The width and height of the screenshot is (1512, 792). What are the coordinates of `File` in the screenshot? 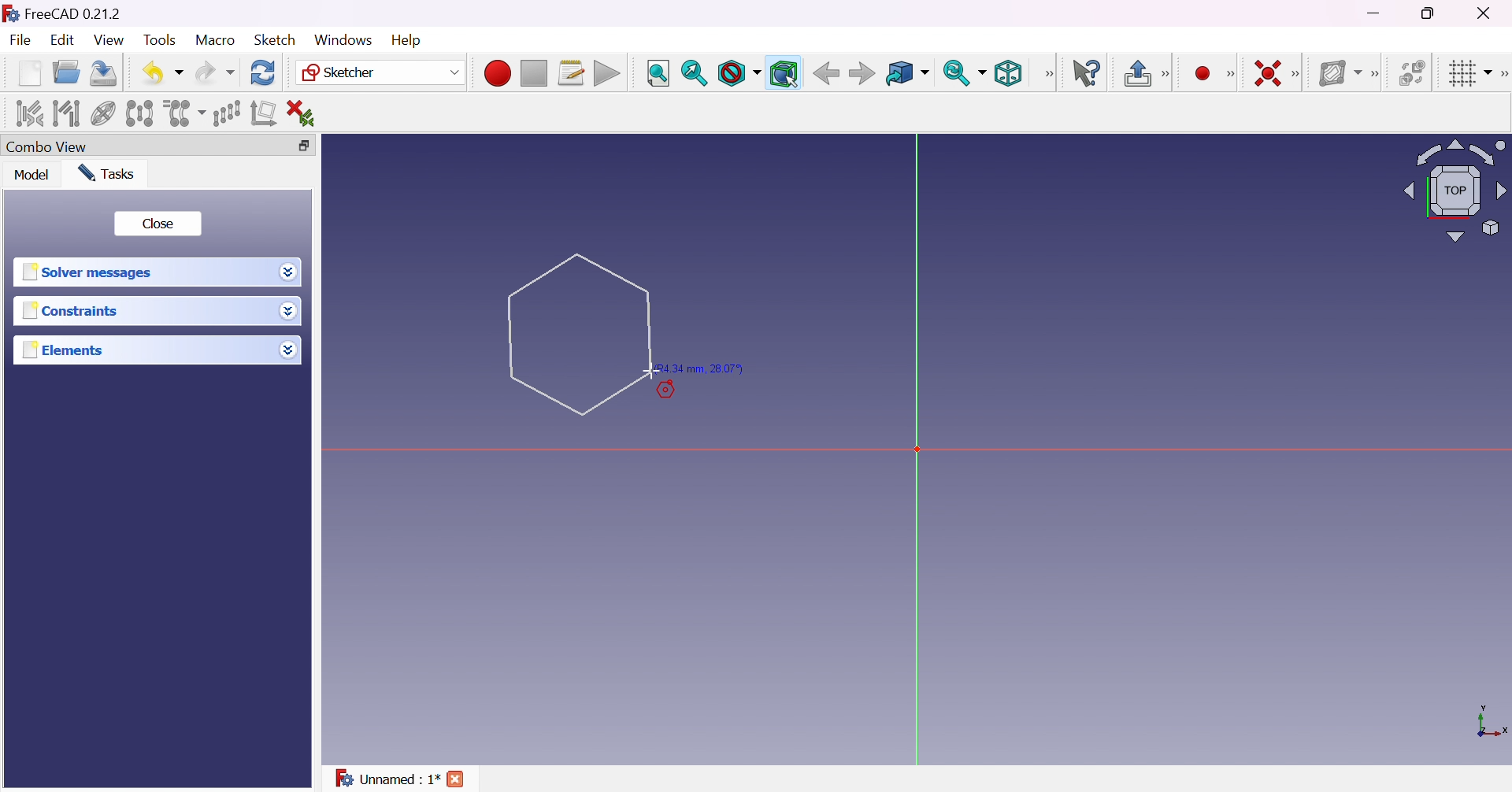 It's located at (20, 42).